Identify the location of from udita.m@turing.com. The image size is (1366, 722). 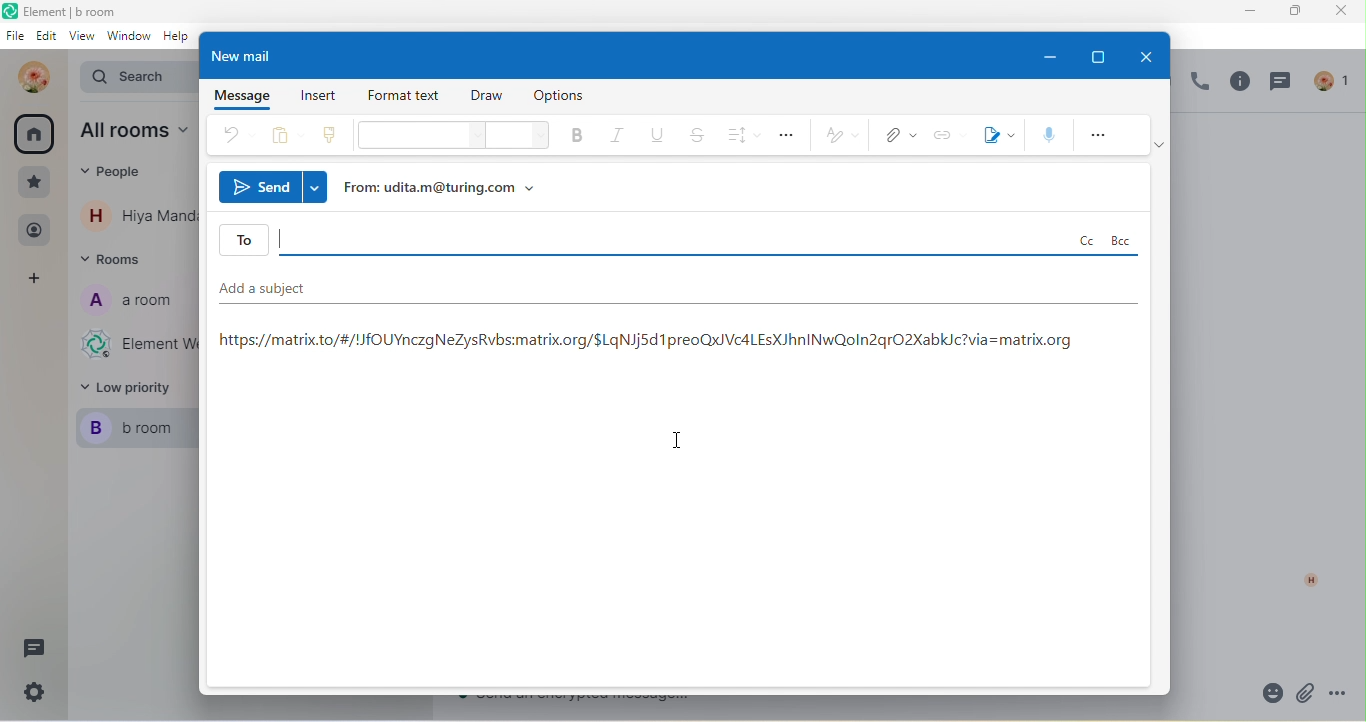
(449, 189).